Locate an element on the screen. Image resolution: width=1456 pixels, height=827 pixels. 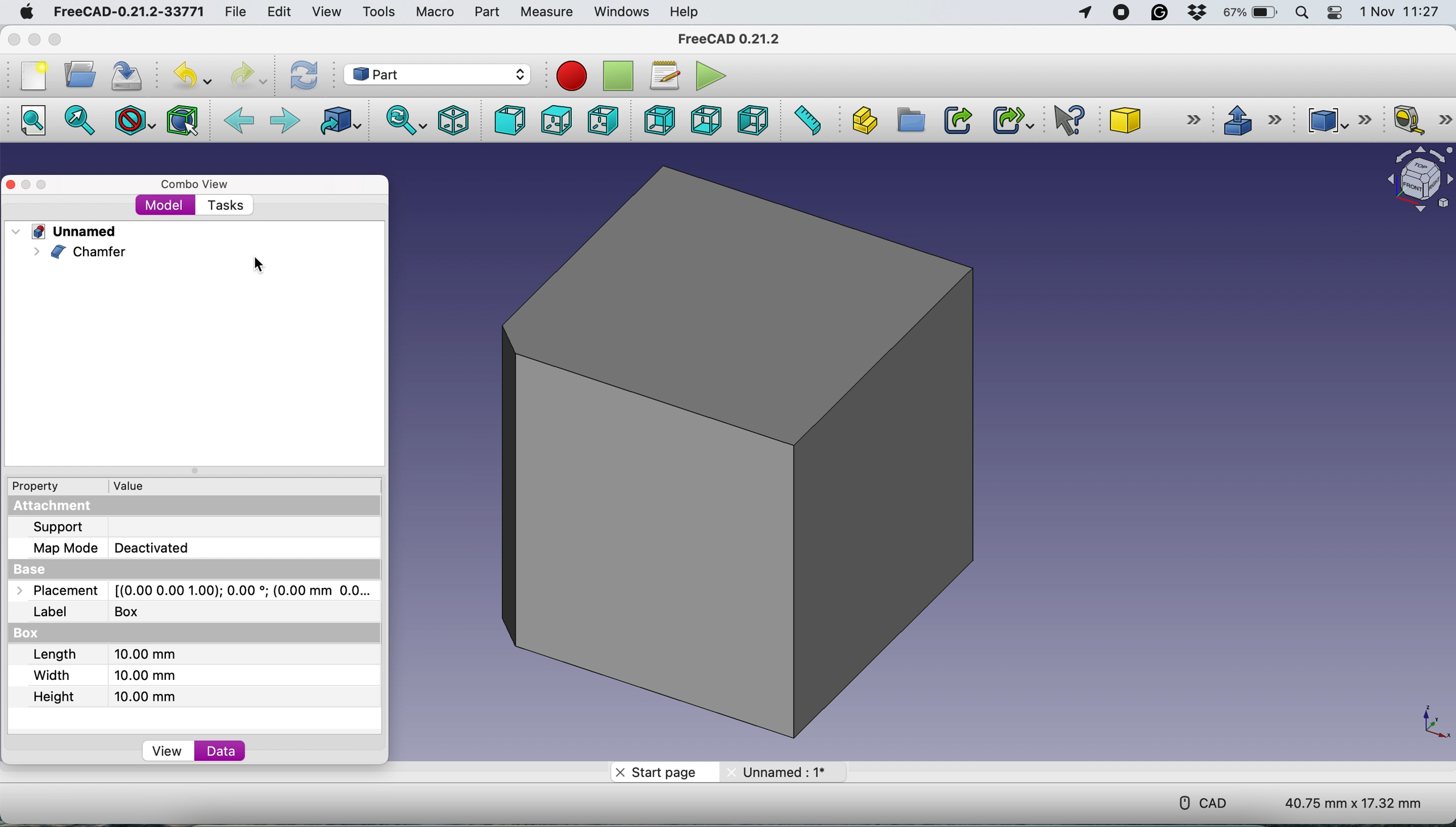
top is located at coordinates (555, 120).